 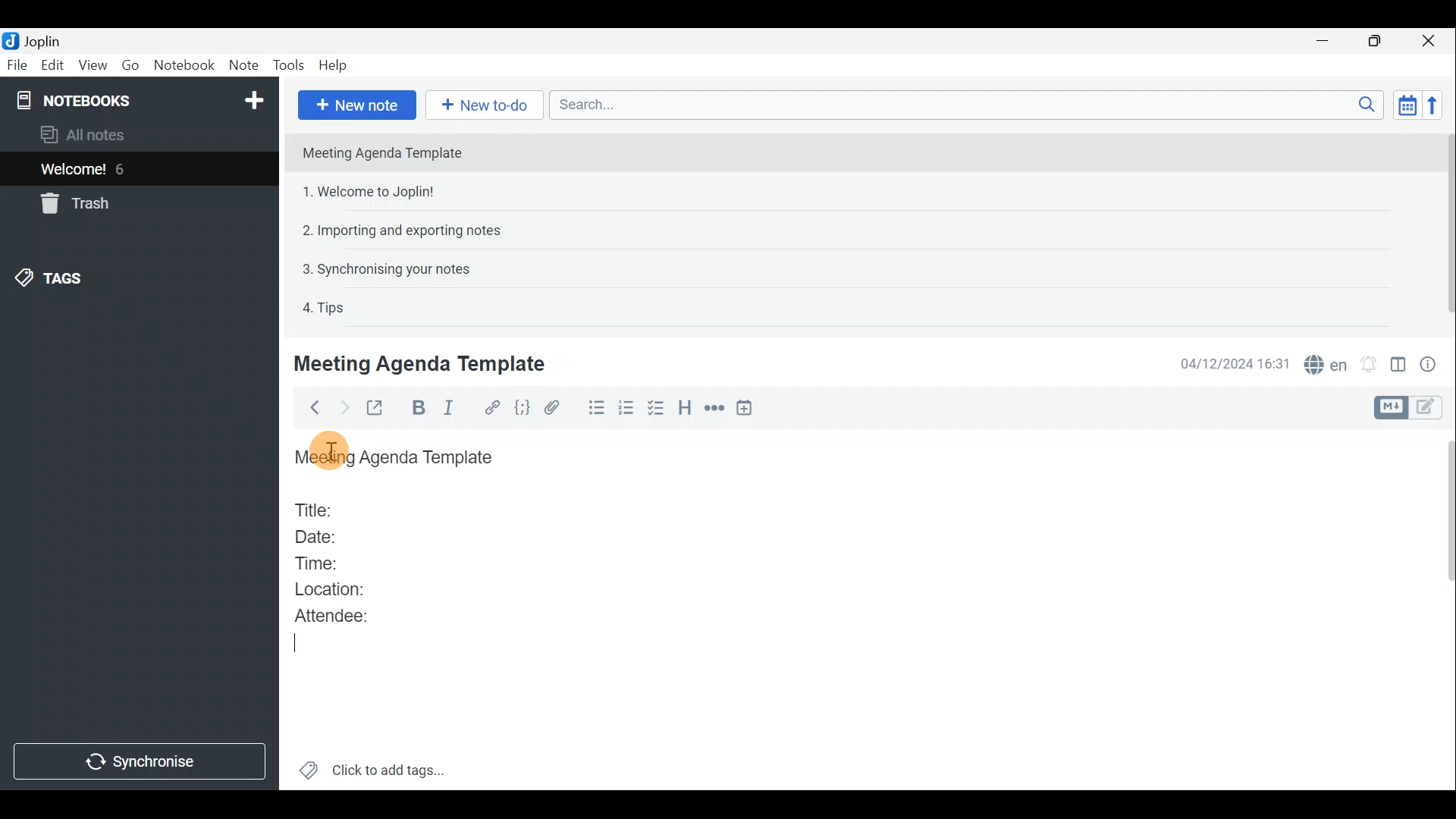 I want to click on Click to add tags, so click(x=393, y=767).